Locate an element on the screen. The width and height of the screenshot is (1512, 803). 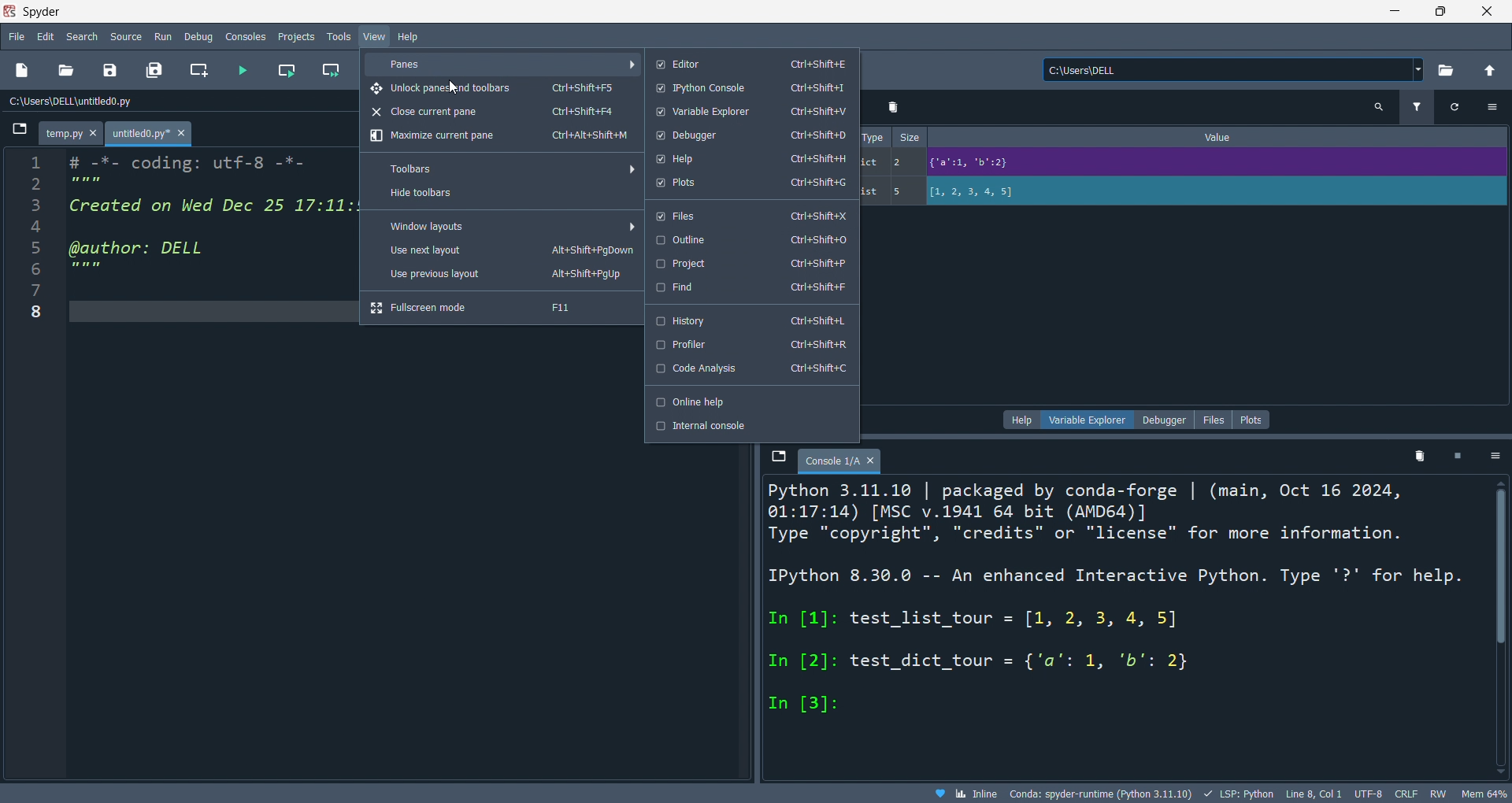
cursor is located at coordinates (453, 80).